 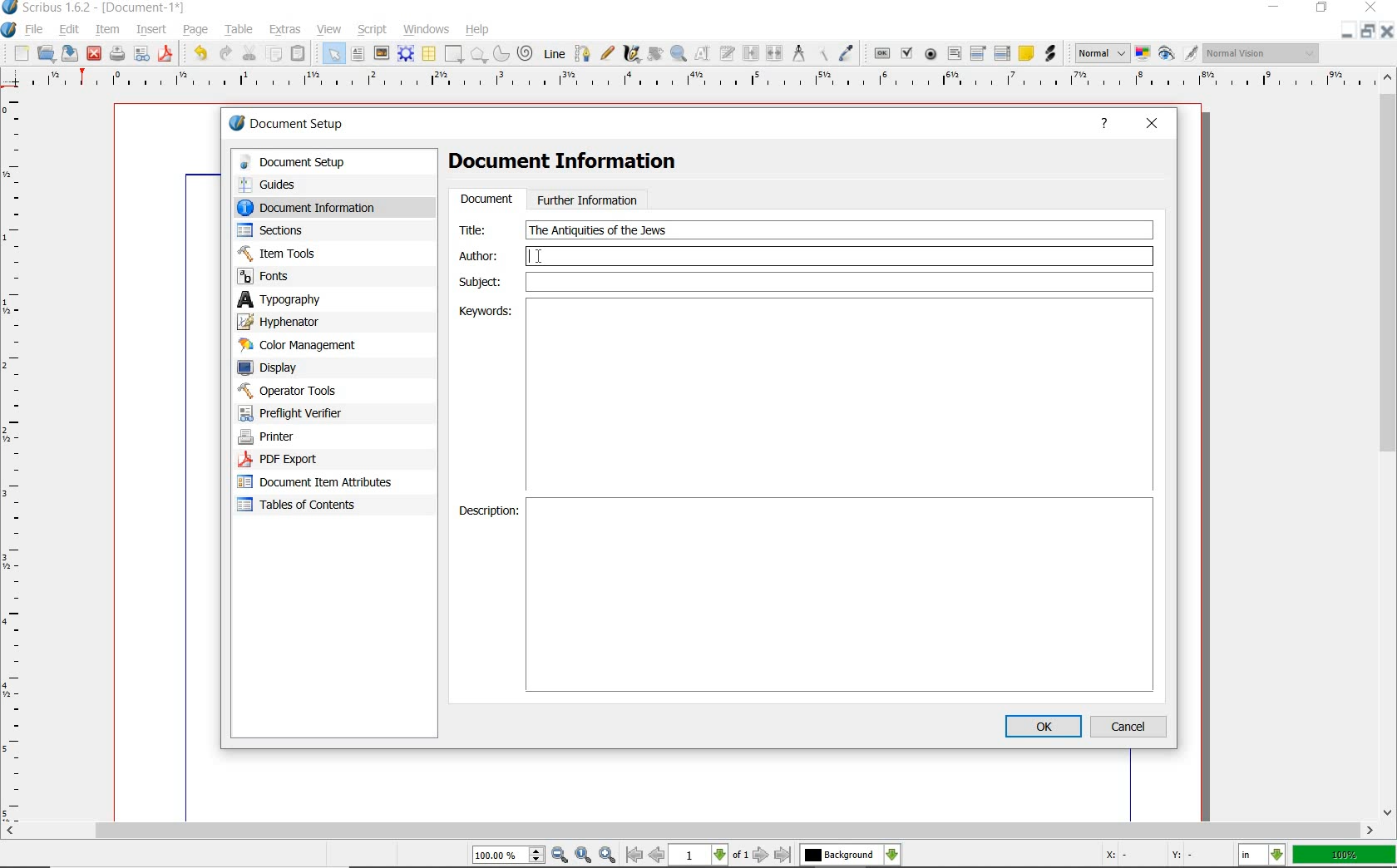 What do you see at coordinates (705, 83) in the screenshot?
I see `ruler` at bounding box center [705, 83].